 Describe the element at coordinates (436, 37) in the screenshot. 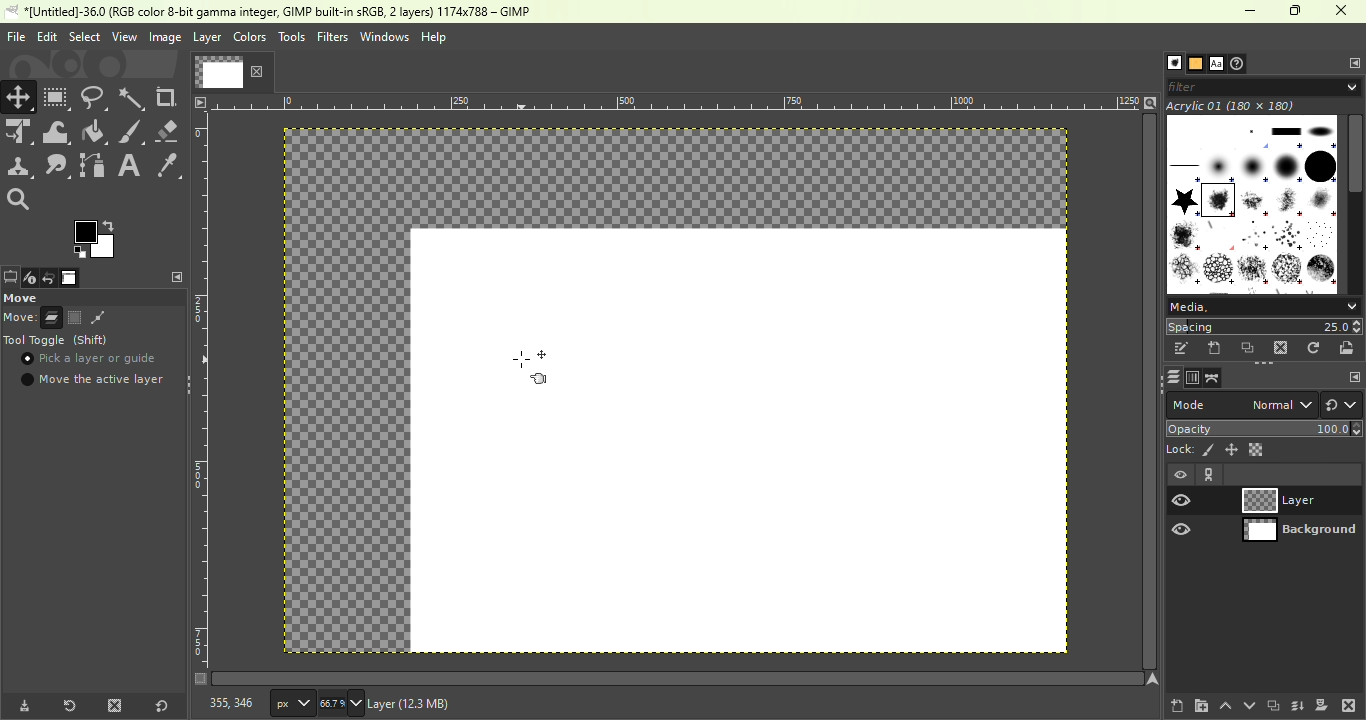

I see `Help` at that location.